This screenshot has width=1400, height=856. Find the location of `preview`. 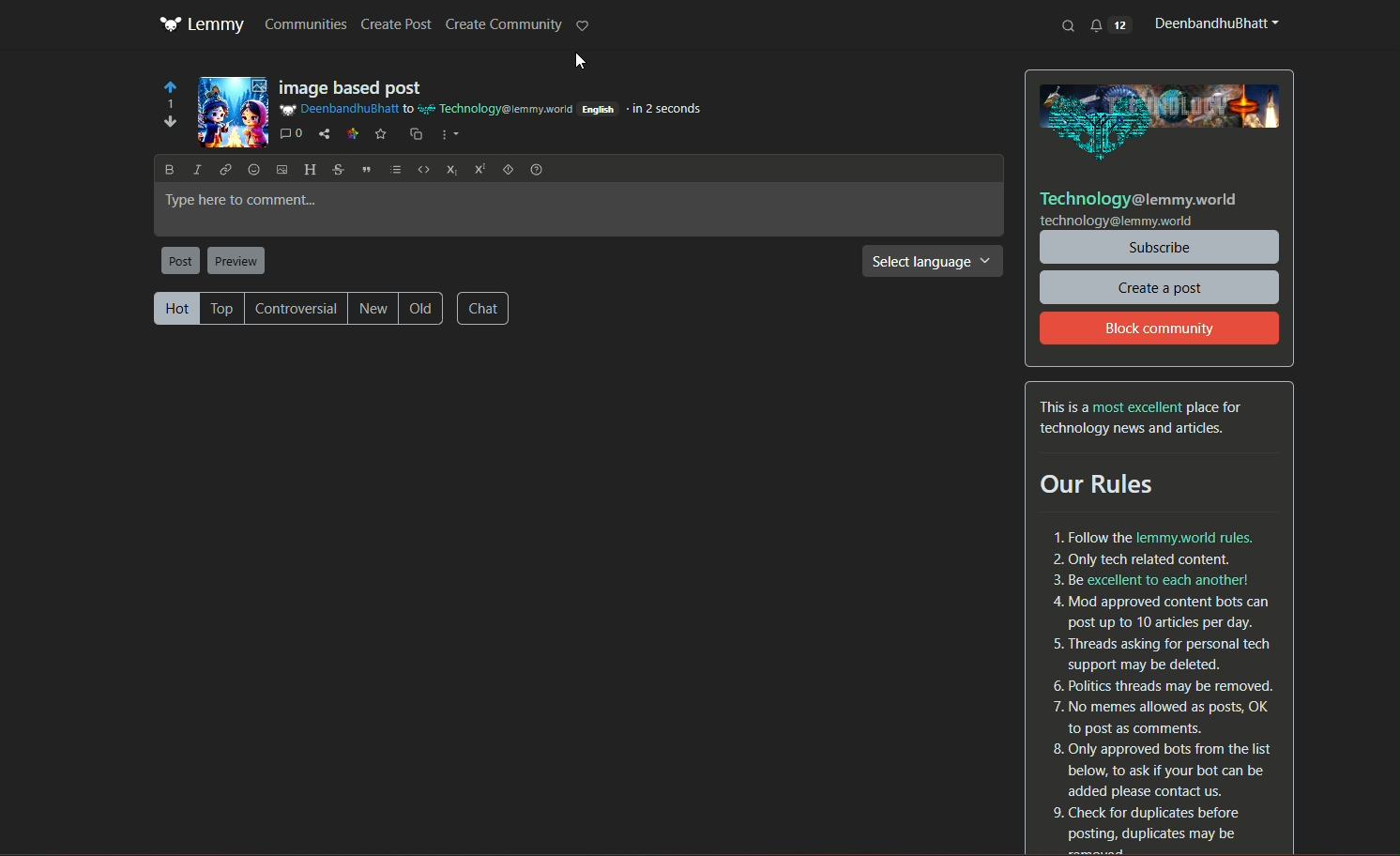

preview is located at coordinates (236, 260).